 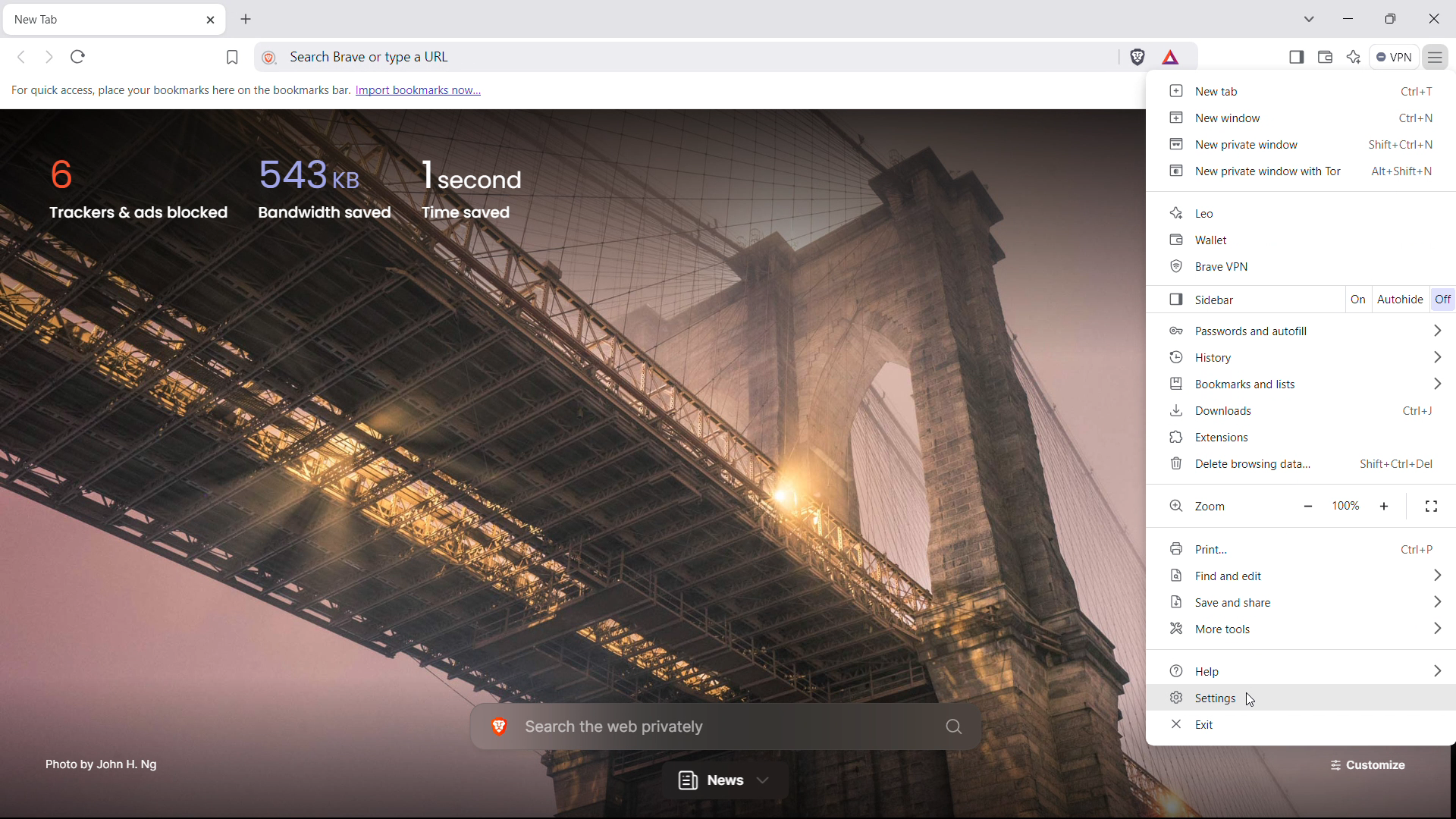 What do you see at coordinates (269, 57) in the screenshot?
I see `view site information` at bounding box center [269, 57].